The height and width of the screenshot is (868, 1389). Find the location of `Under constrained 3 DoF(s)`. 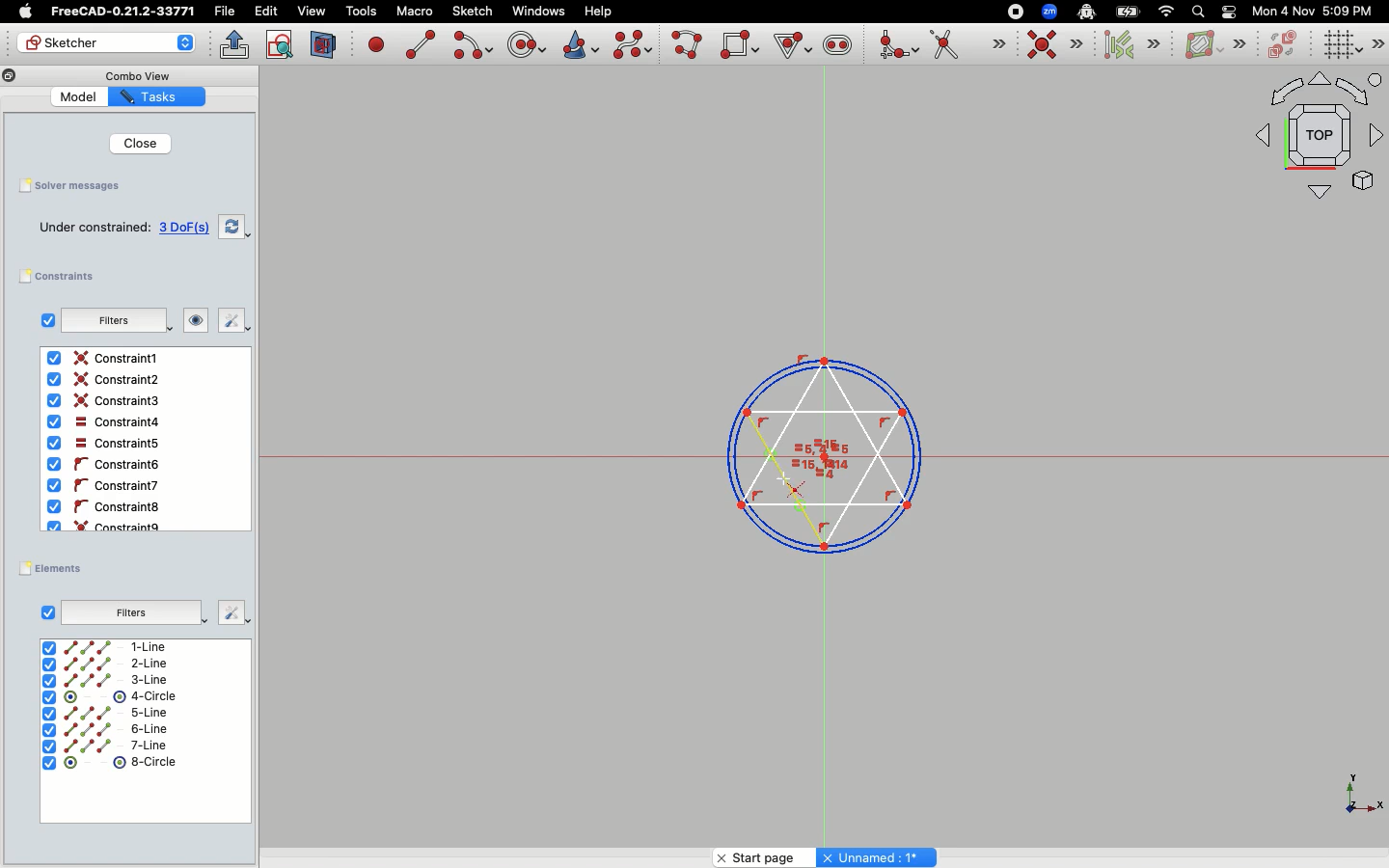

Under constrained 3 DoF(s) is located at coordinates (125, 228).